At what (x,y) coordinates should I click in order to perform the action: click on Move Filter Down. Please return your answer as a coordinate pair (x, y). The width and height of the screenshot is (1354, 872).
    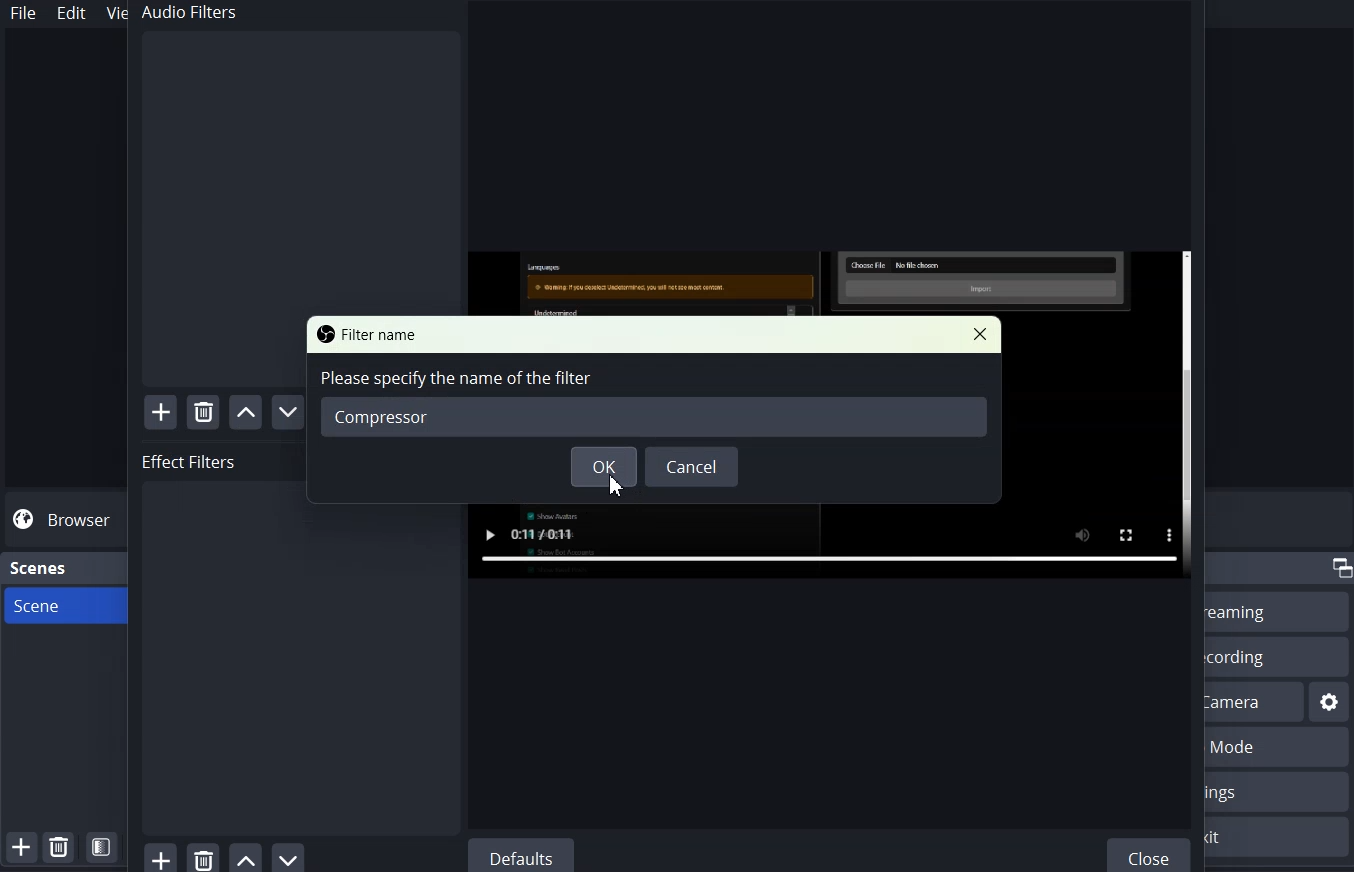
    Looking at the image, I should click on (290, 857).